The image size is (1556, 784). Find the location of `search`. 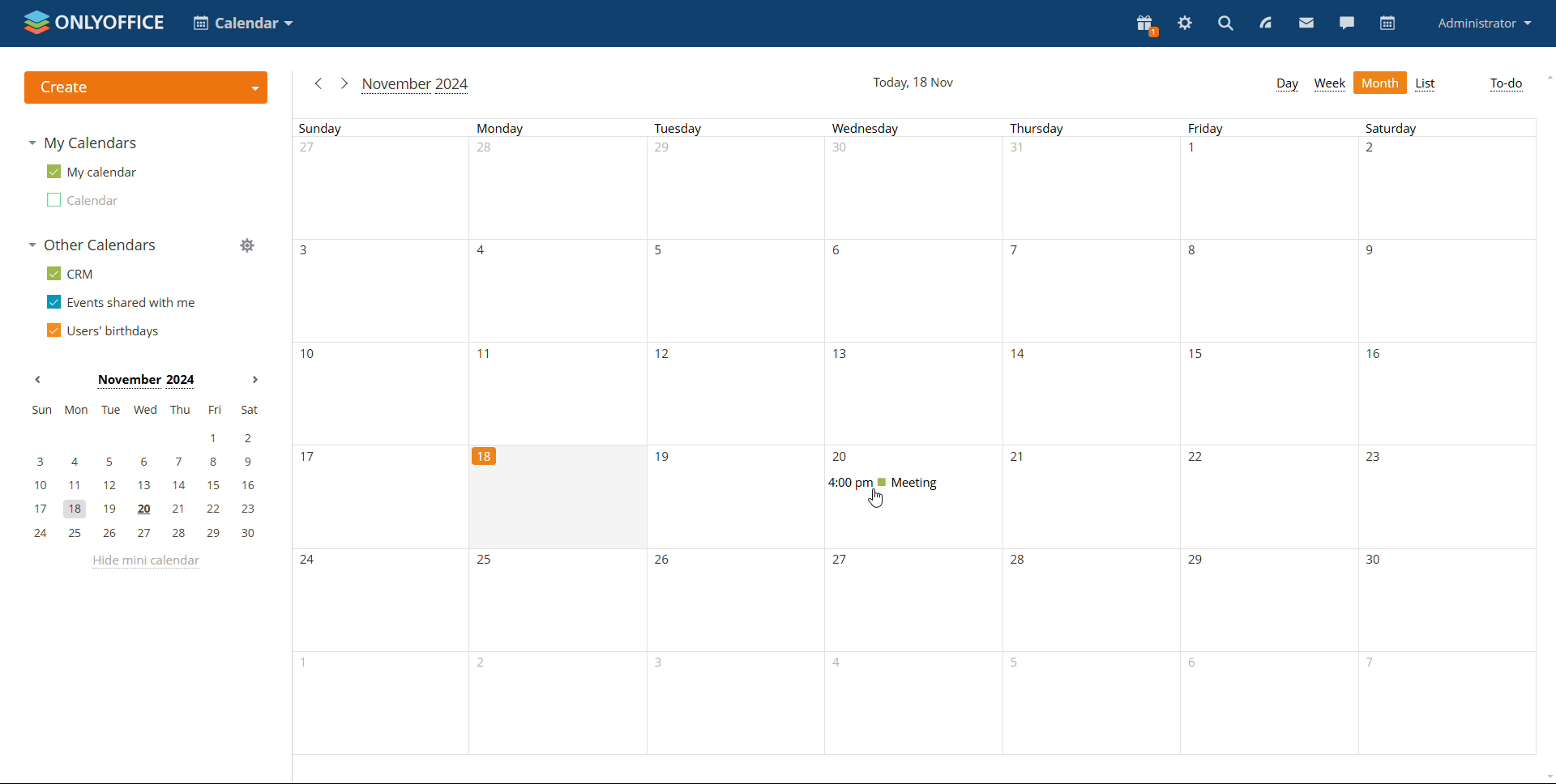

search is located at coordinates (1226, 23).